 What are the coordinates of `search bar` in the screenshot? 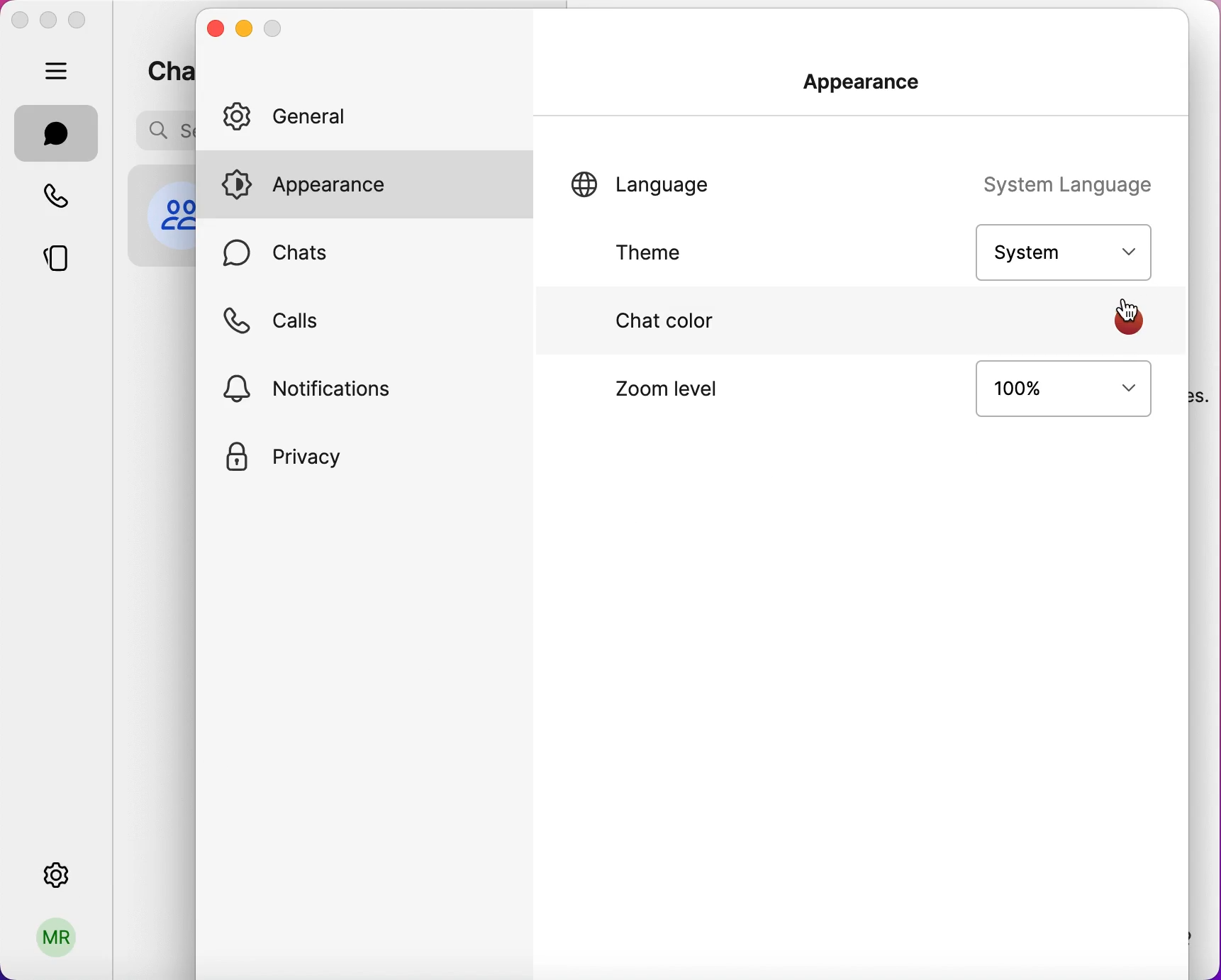 It's located at (161, 130).